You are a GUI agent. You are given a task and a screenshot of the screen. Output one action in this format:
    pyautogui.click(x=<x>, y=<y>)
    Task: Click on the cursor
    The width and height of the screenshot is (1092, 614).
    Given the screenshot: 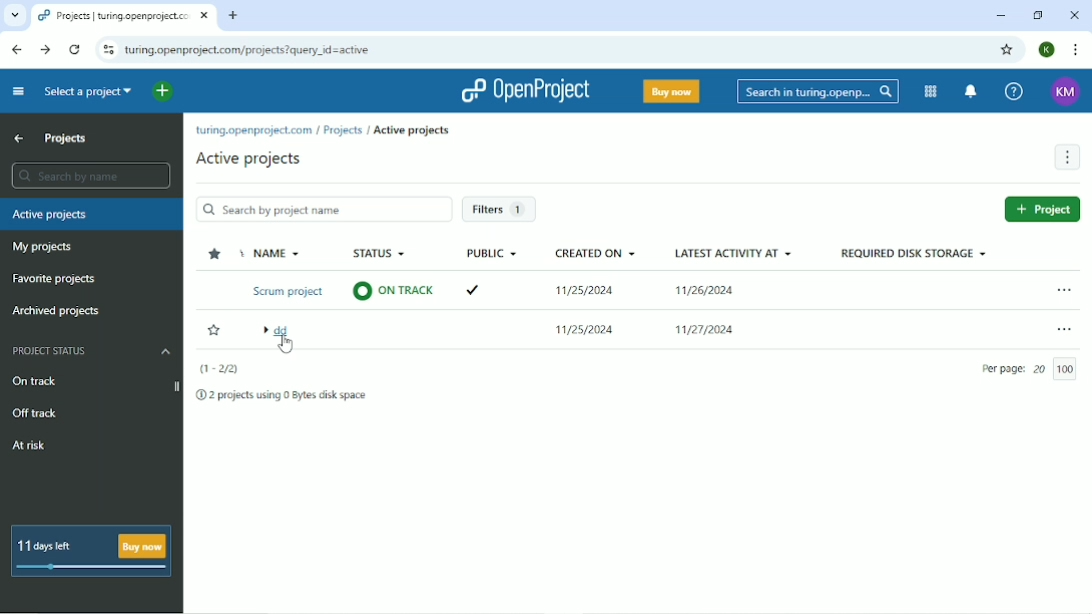 What is the action you would take?
    pyautogui.click(x=295, y=350)
    